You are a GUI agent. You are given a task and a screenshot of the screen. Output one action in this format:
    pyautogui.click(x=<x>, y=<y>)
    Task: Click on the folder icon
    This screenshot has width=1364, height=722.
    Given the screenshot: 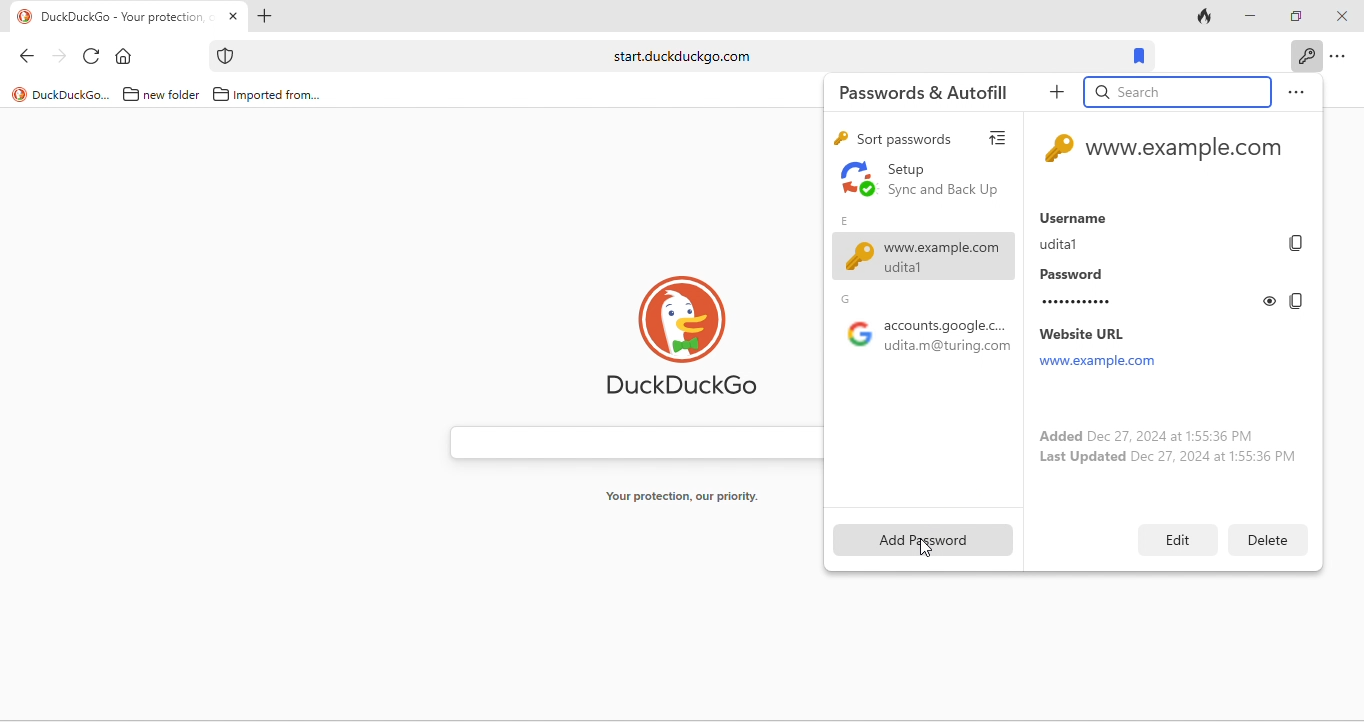 What is the action you would take?
    pyautogui.click(x=221, y=94)
    